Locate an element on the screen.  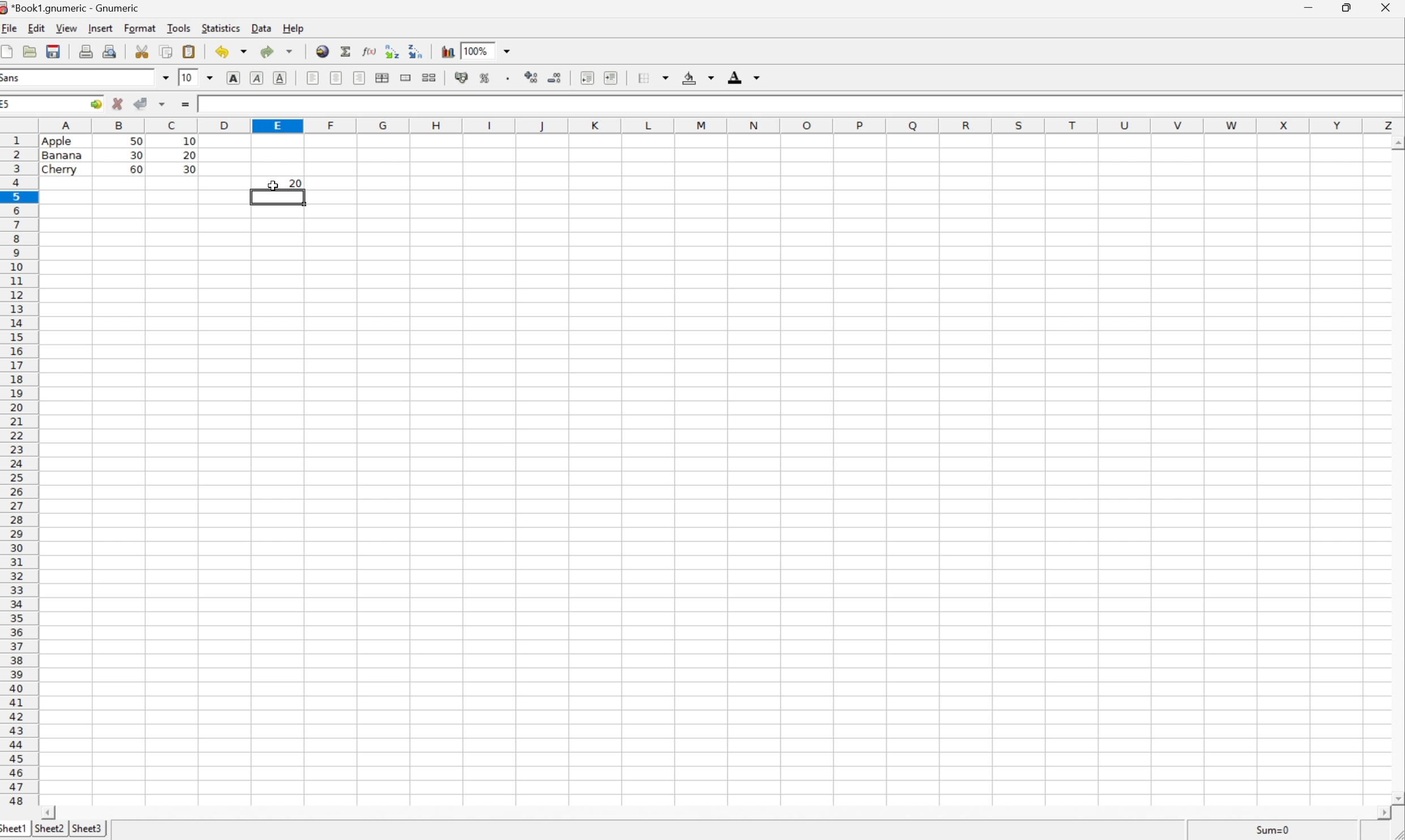
save in current workbook is located at coordinates (54, 50).